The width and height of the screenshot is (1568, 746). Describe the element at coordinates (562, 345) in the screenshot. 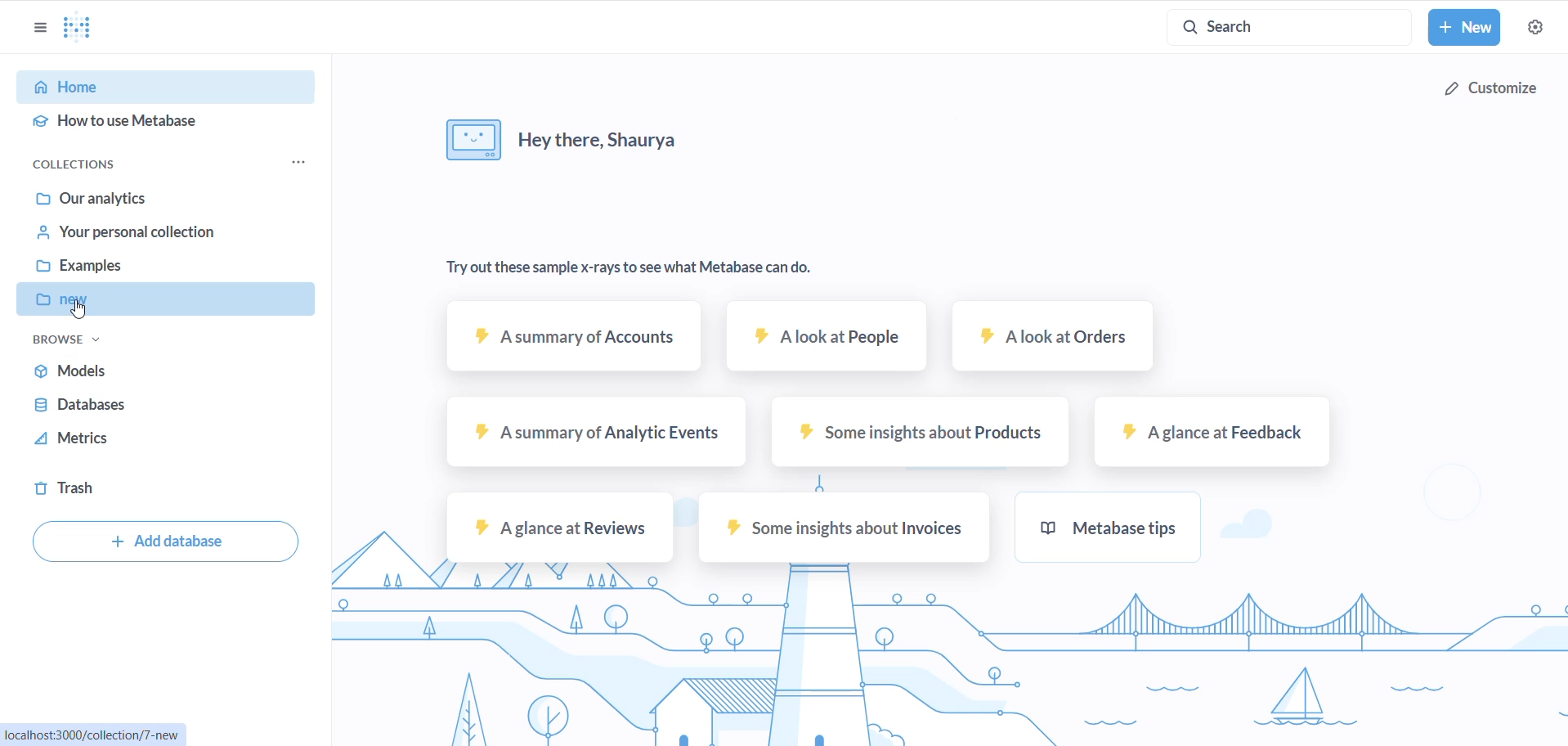

I see `A summary of Accounts sample` at that location.